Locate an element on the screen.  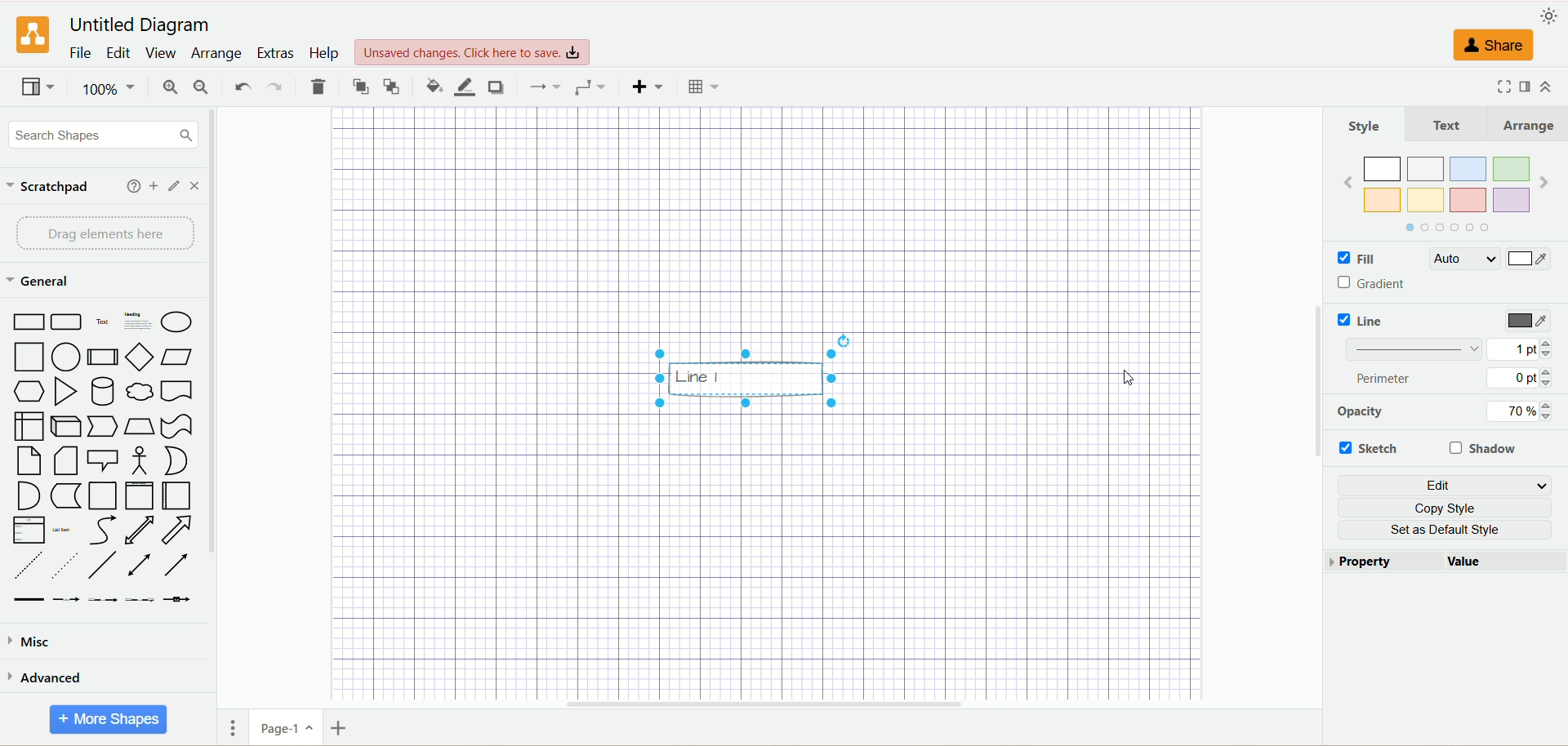
color is located at coordinates (1530, 322).